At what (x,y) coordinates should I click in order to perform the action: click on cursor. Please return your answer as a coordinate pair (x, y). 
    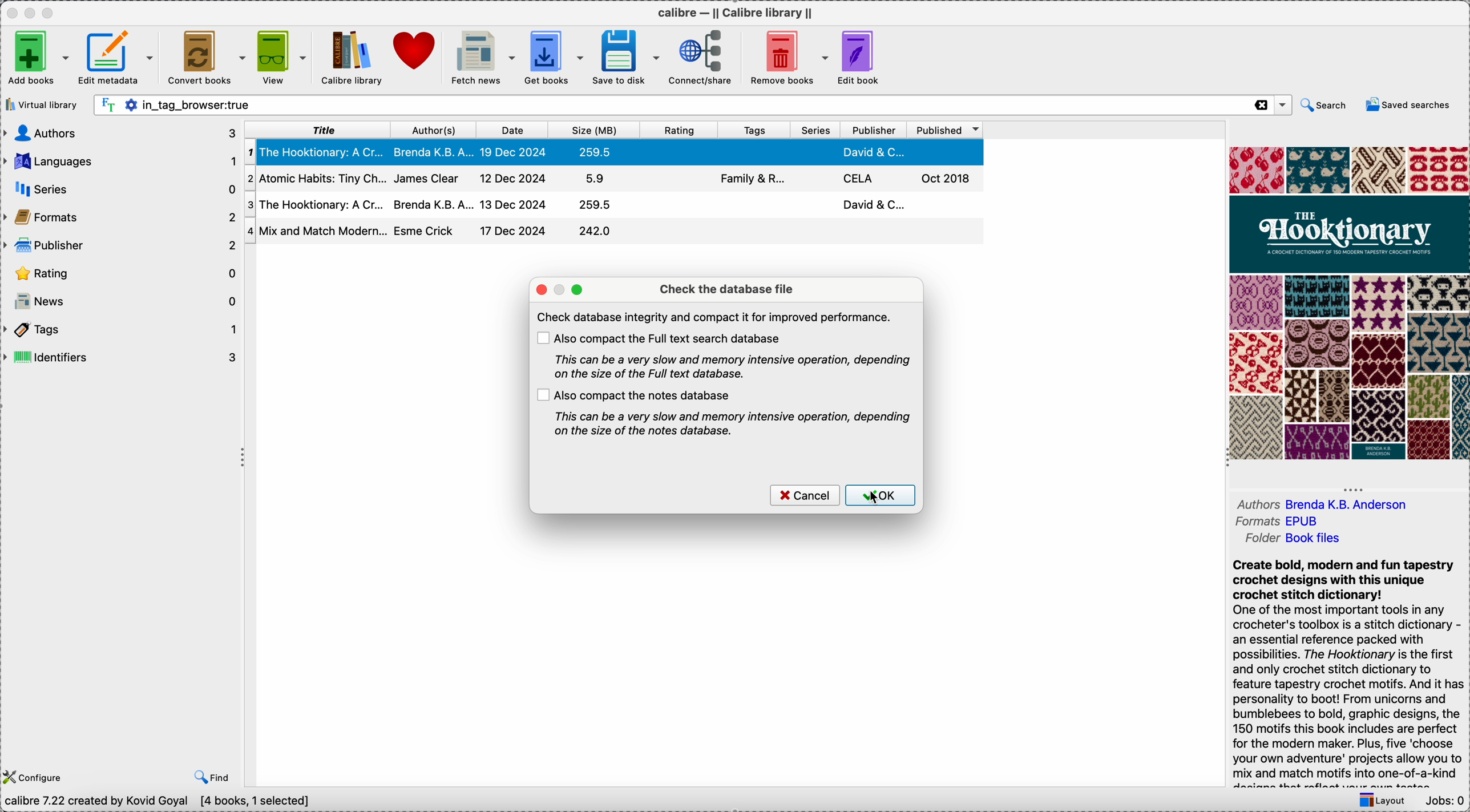
    Looking at the image, I should click on (871, 499).